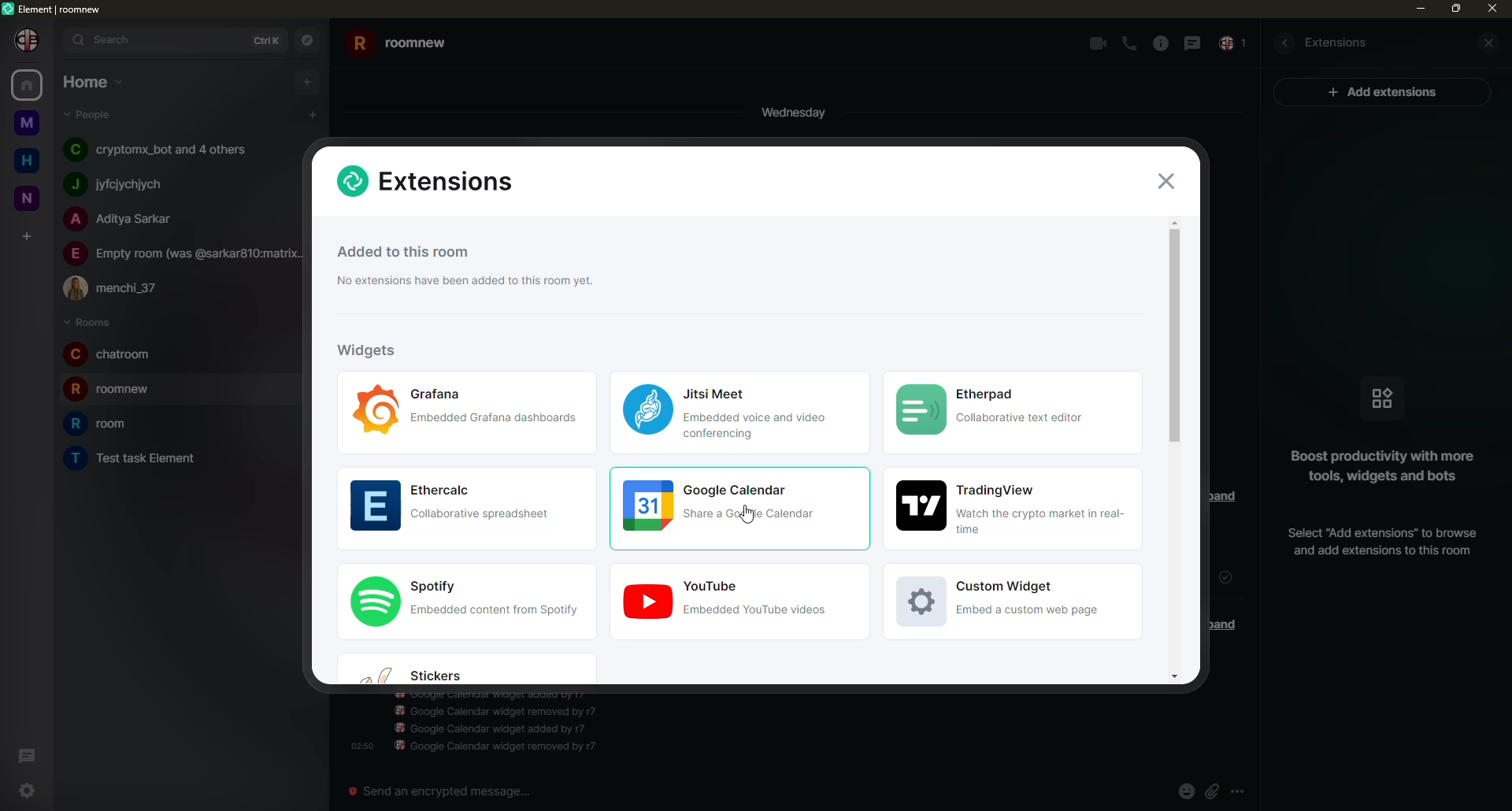  I want to click on extensions, so click(426, 178).